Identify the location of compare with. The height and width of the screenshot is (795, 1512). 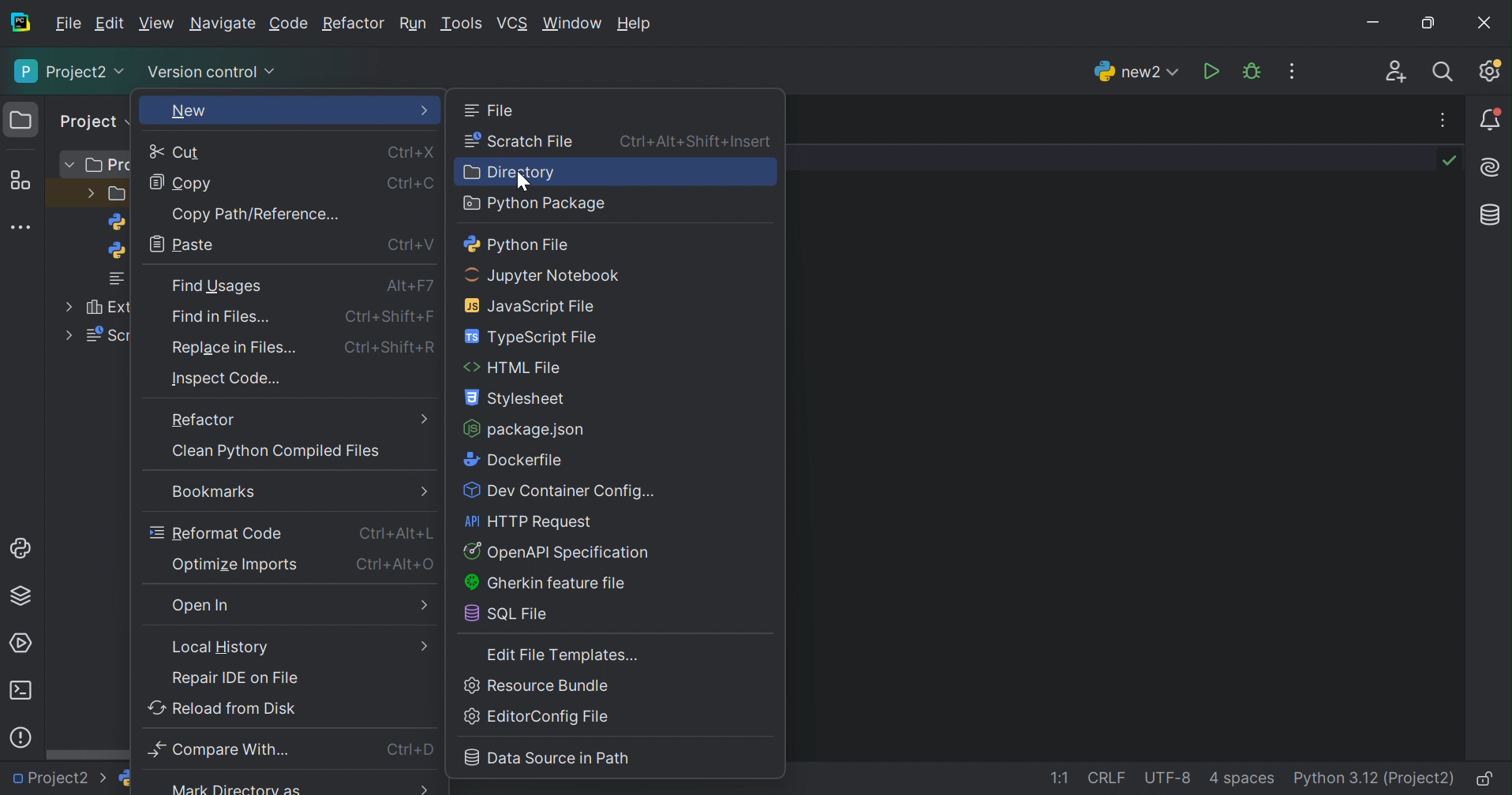
(223, 749).